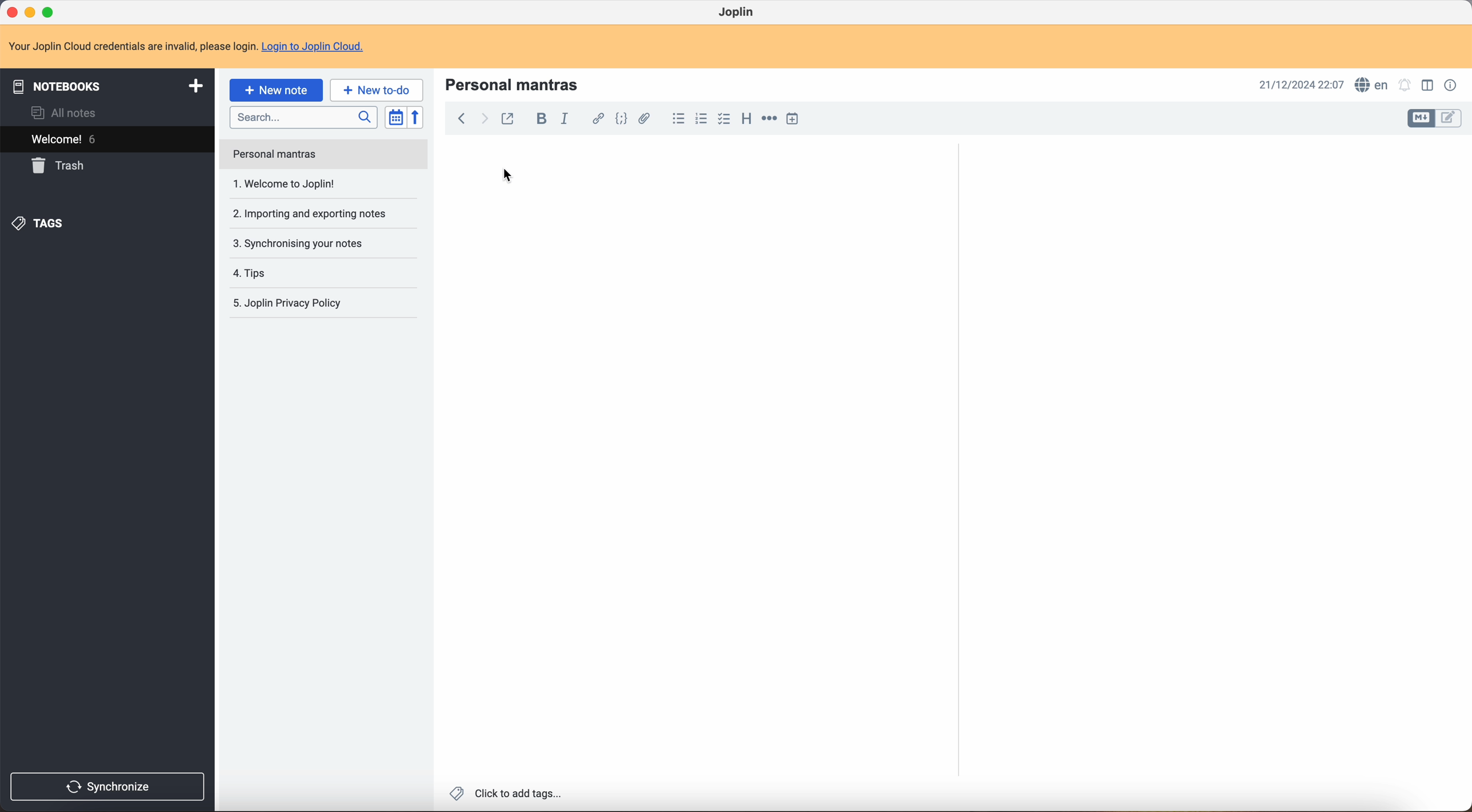 This screenshot has width=1472, height=812. Describe the element at coordinates (291, 273) in the screenshot. I see `Joplin privacy policy` at that location.